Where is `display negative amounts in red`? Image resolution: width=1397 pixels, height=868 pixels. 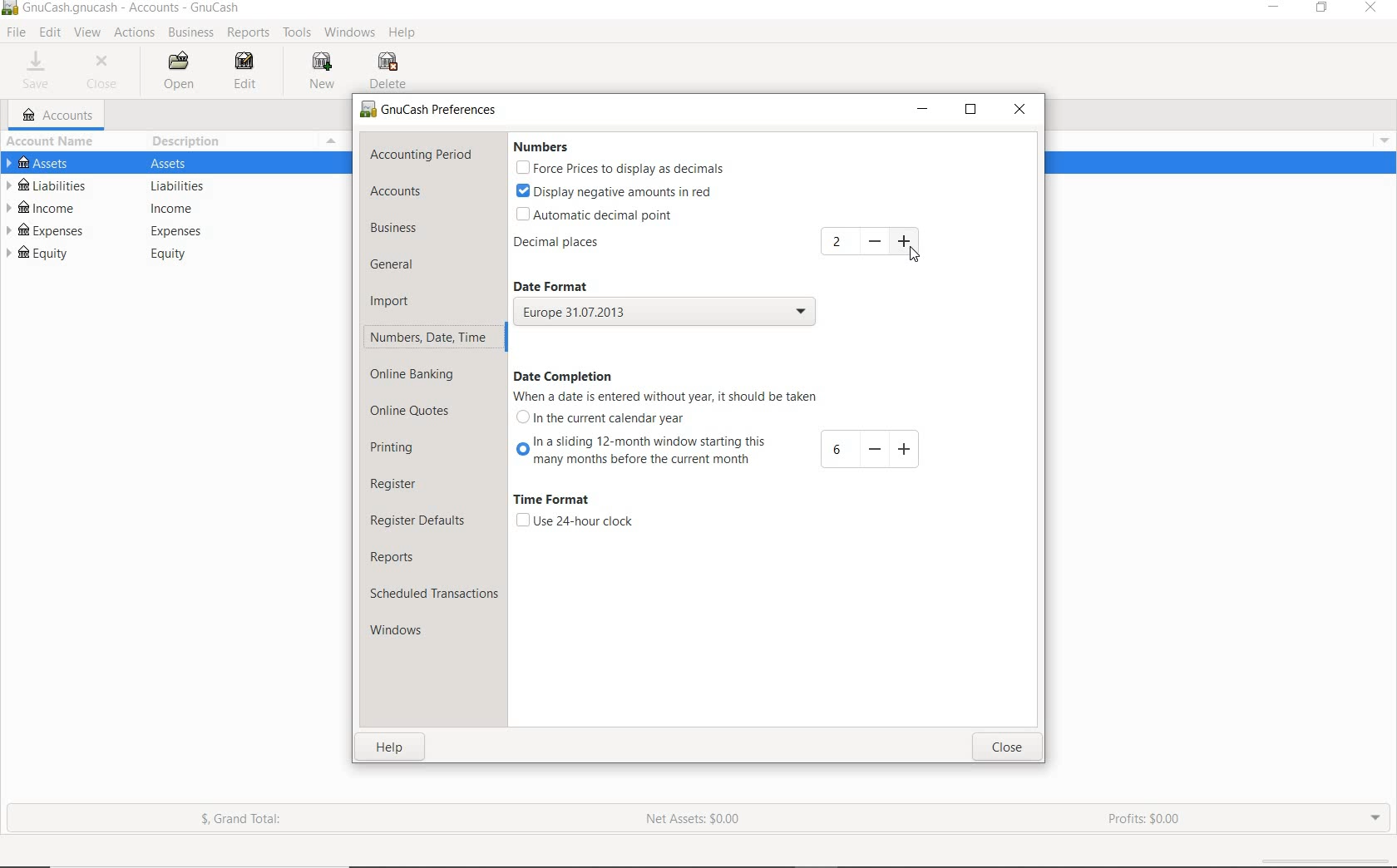 display negative amounts in red is located at coordinates (614, 191).